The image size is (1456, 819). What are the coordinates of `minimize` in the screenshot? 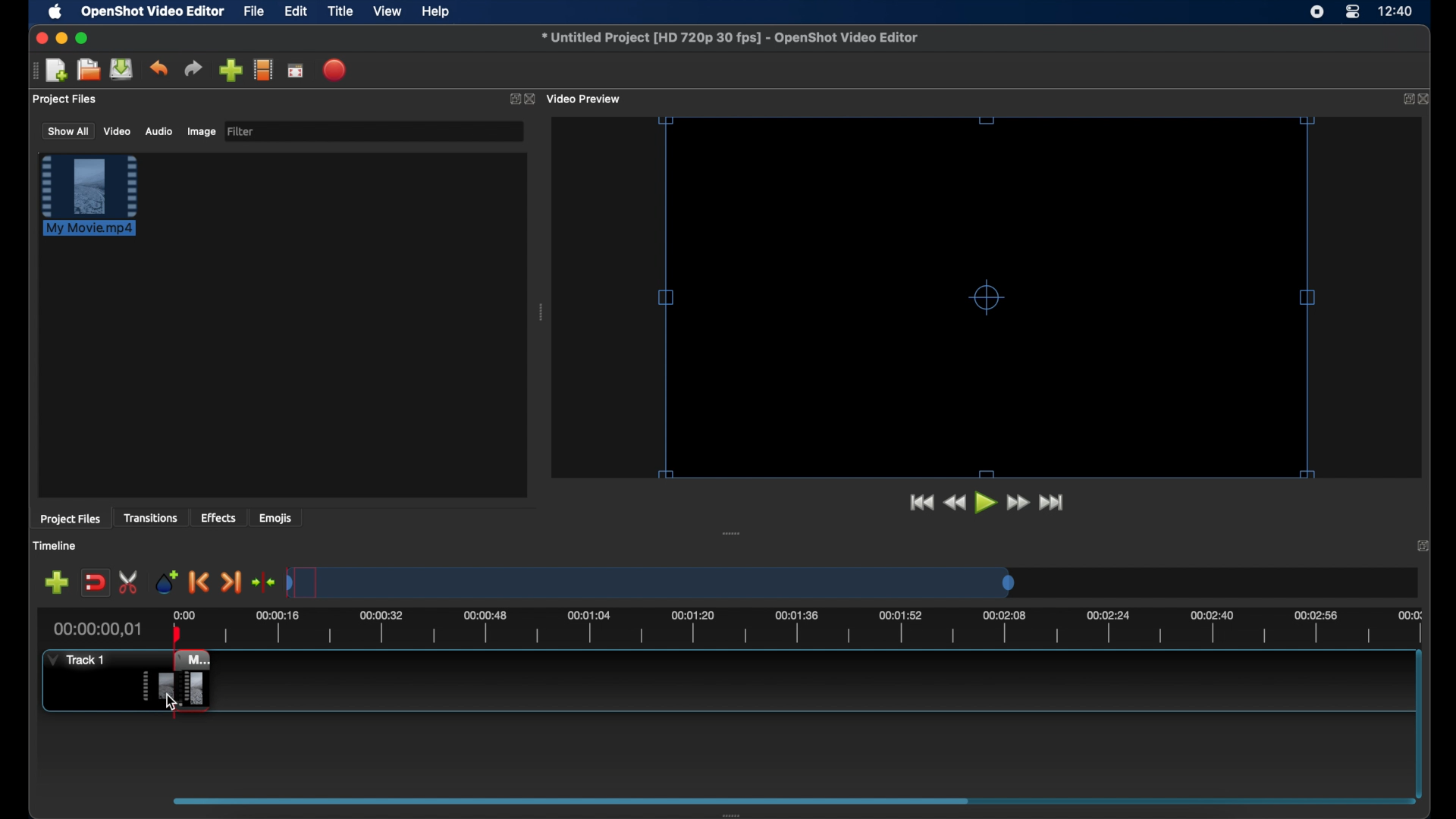 It's located at (61, 38).